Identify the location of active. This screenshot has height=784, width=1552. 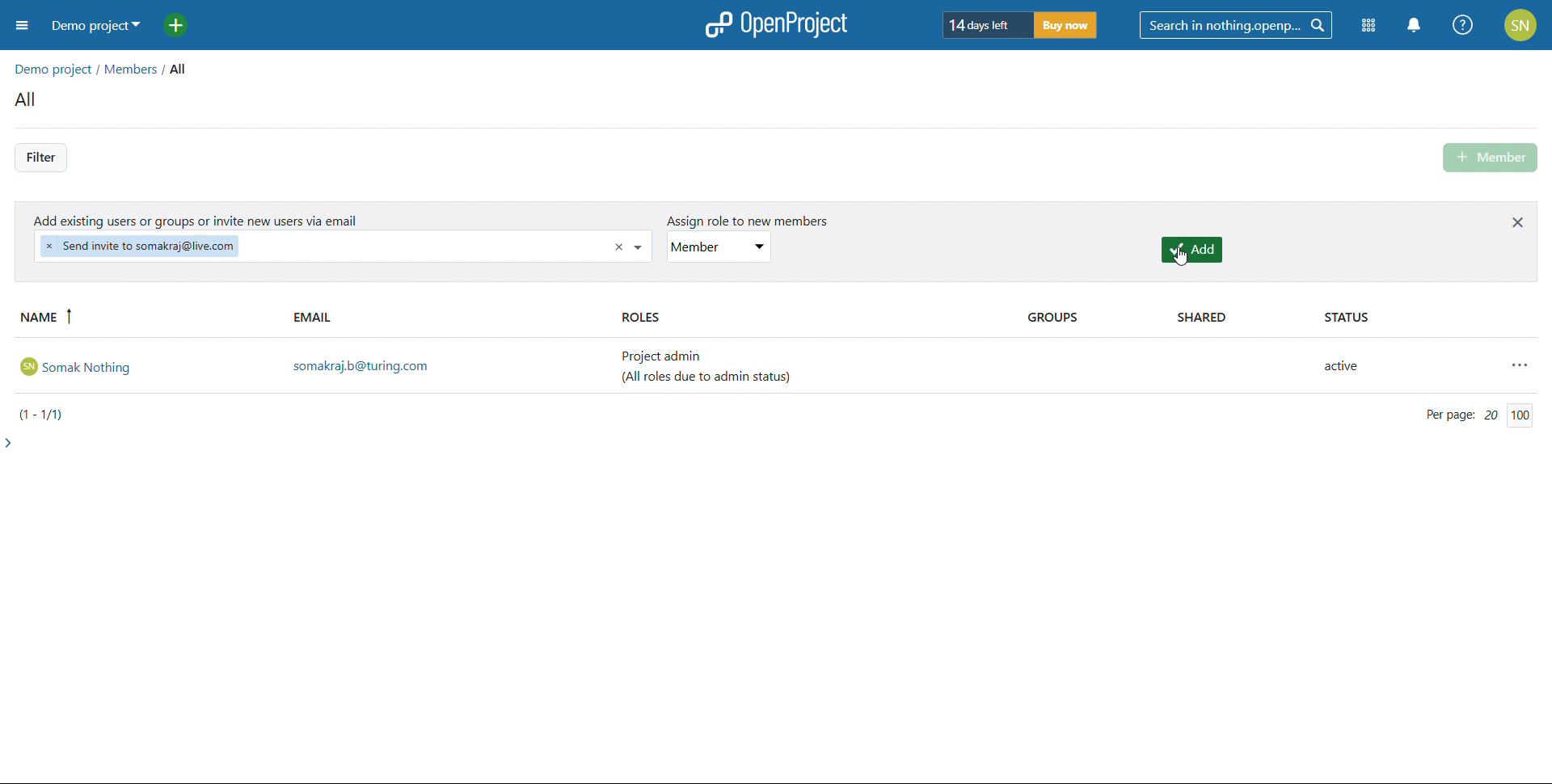
(1350, 368).